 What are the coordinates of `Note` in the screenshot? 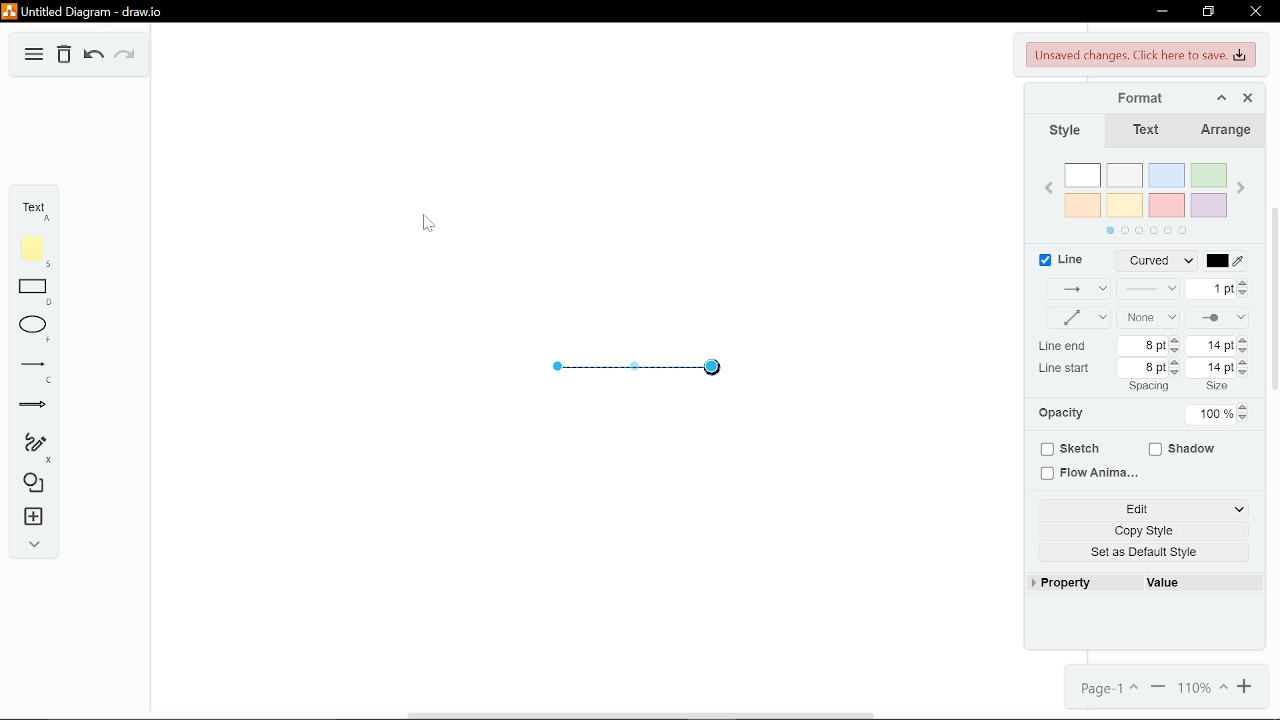 It's located at (32, 249).